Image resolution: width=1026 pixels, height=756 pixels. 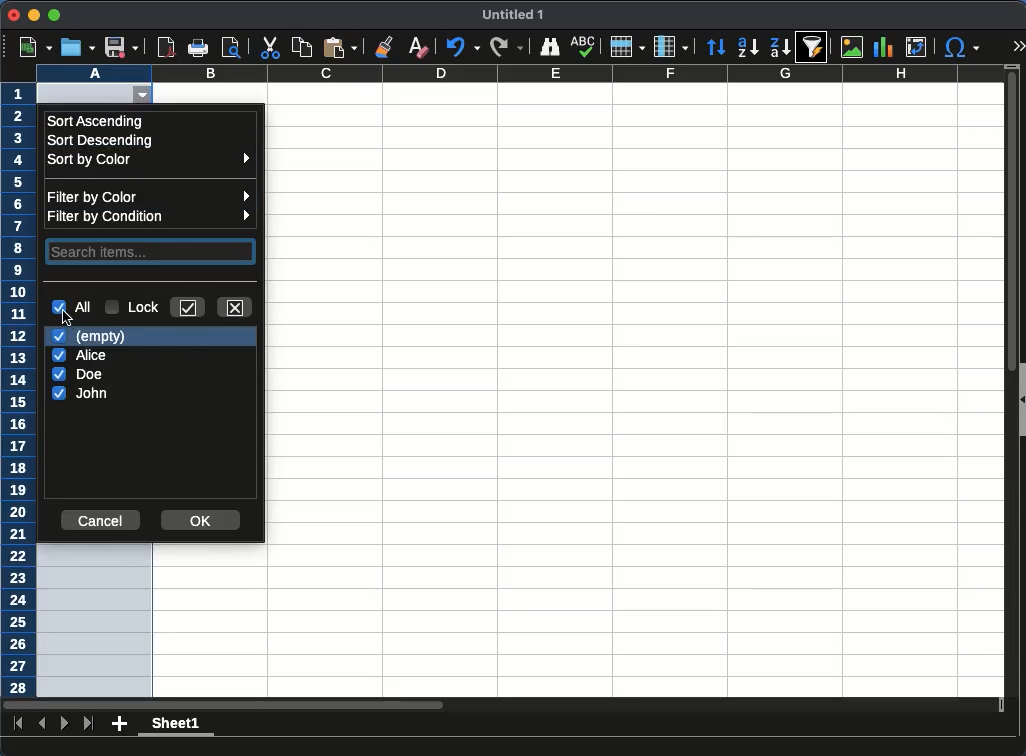 I want to click on filter by condition, so click(x=151, y=216).